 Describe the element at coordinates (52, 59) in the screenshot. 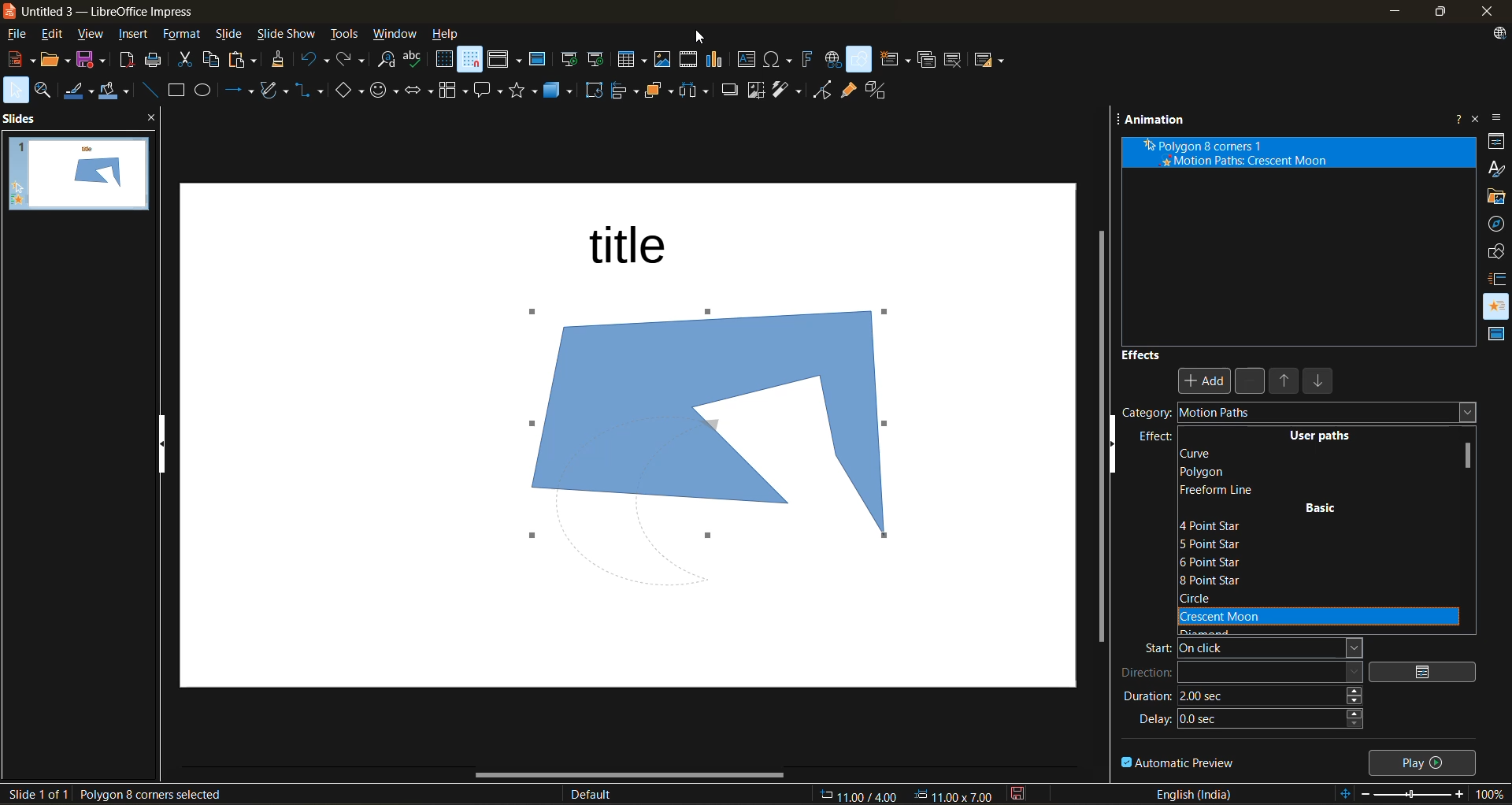

I see `open` at that location.